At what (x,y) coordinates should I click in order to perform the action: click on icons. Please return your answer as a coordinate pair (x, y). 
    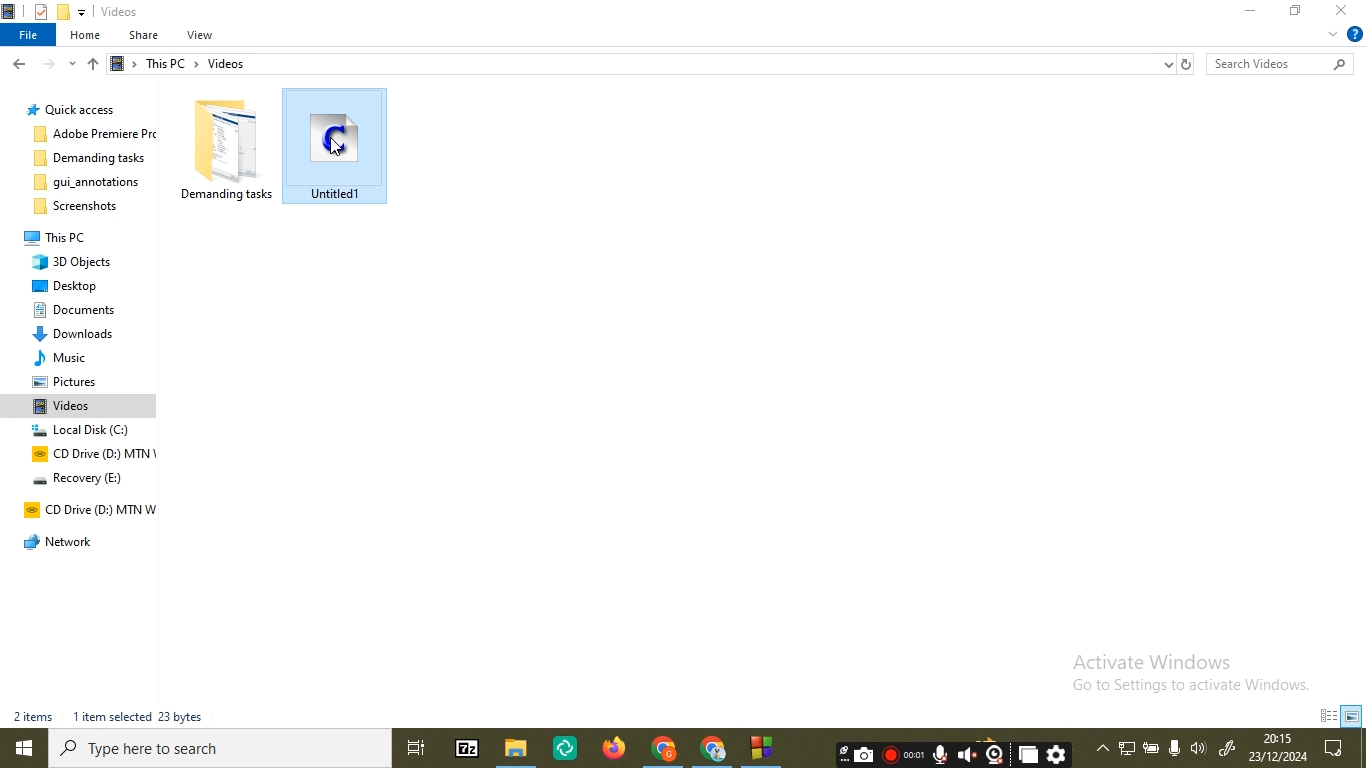
    Looking at the image, I should click on (594, 746).